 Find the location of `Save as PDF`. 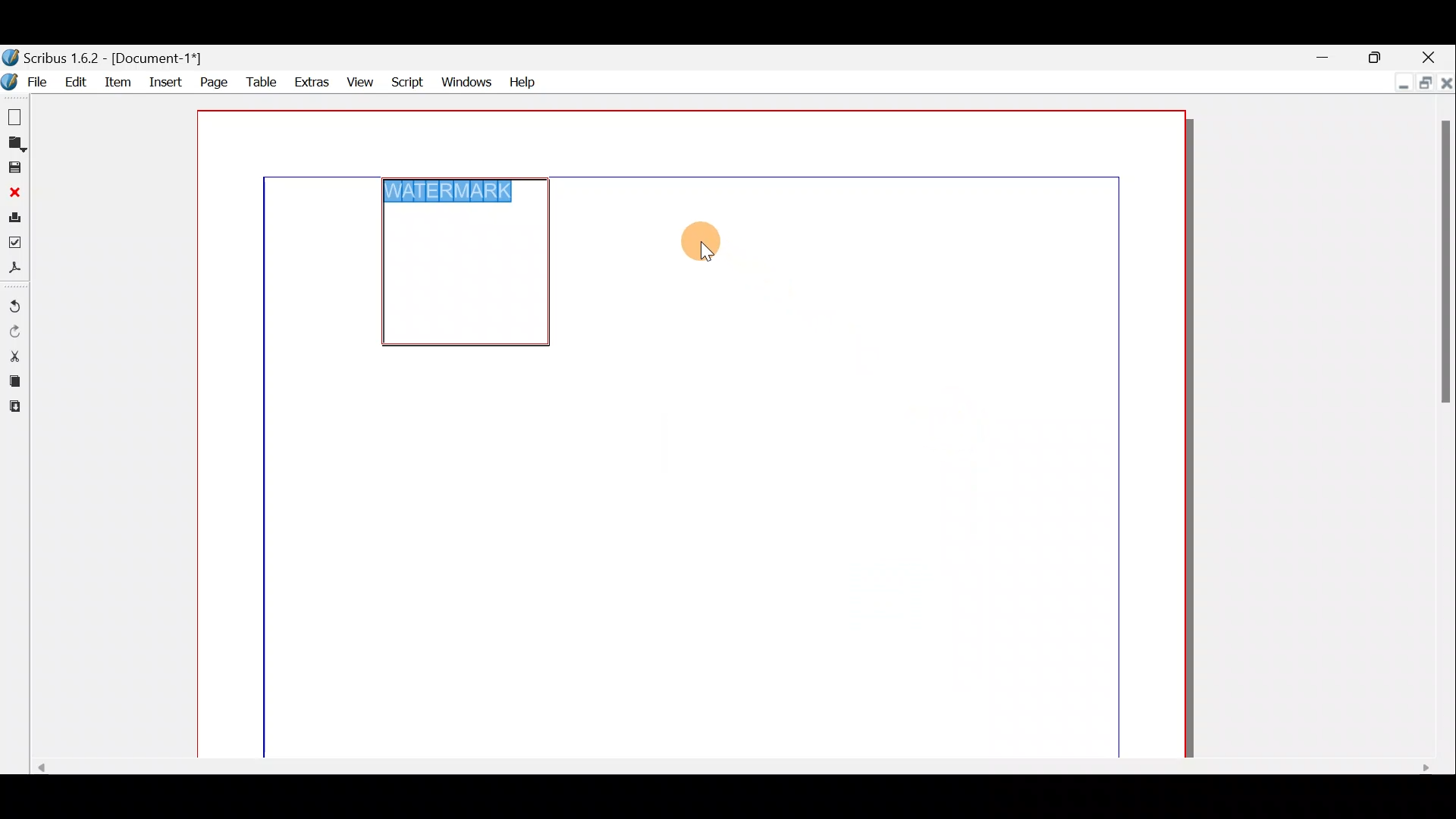

Save as PDF is located at coordinates (14, 270).